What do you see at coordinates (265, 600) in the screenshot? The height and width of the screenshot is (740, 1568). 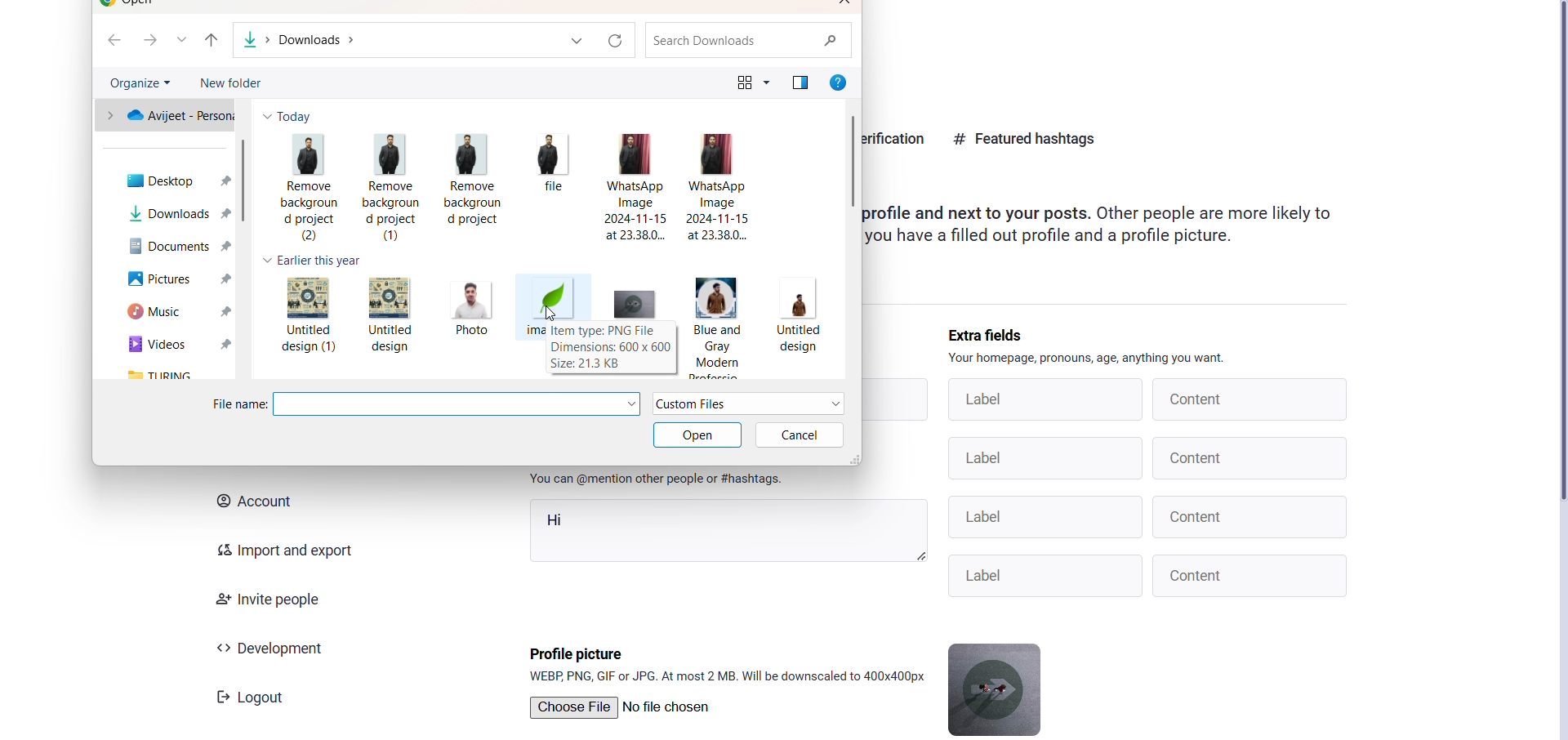 I see `invite people` at bounding box center [265, 600].